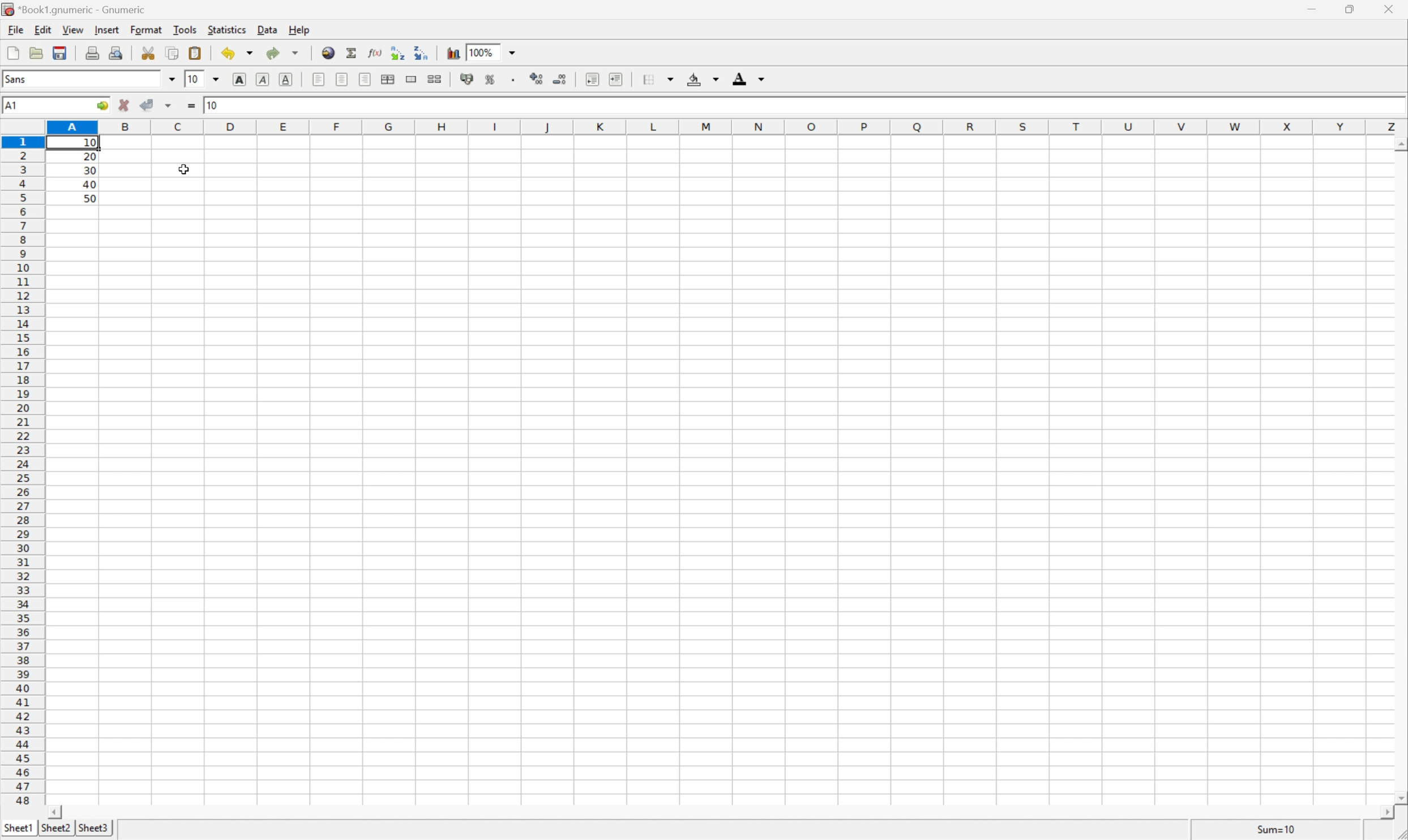  Describe the element at coordinates (14, 104) in the screenshot. I see `A1` at that location.